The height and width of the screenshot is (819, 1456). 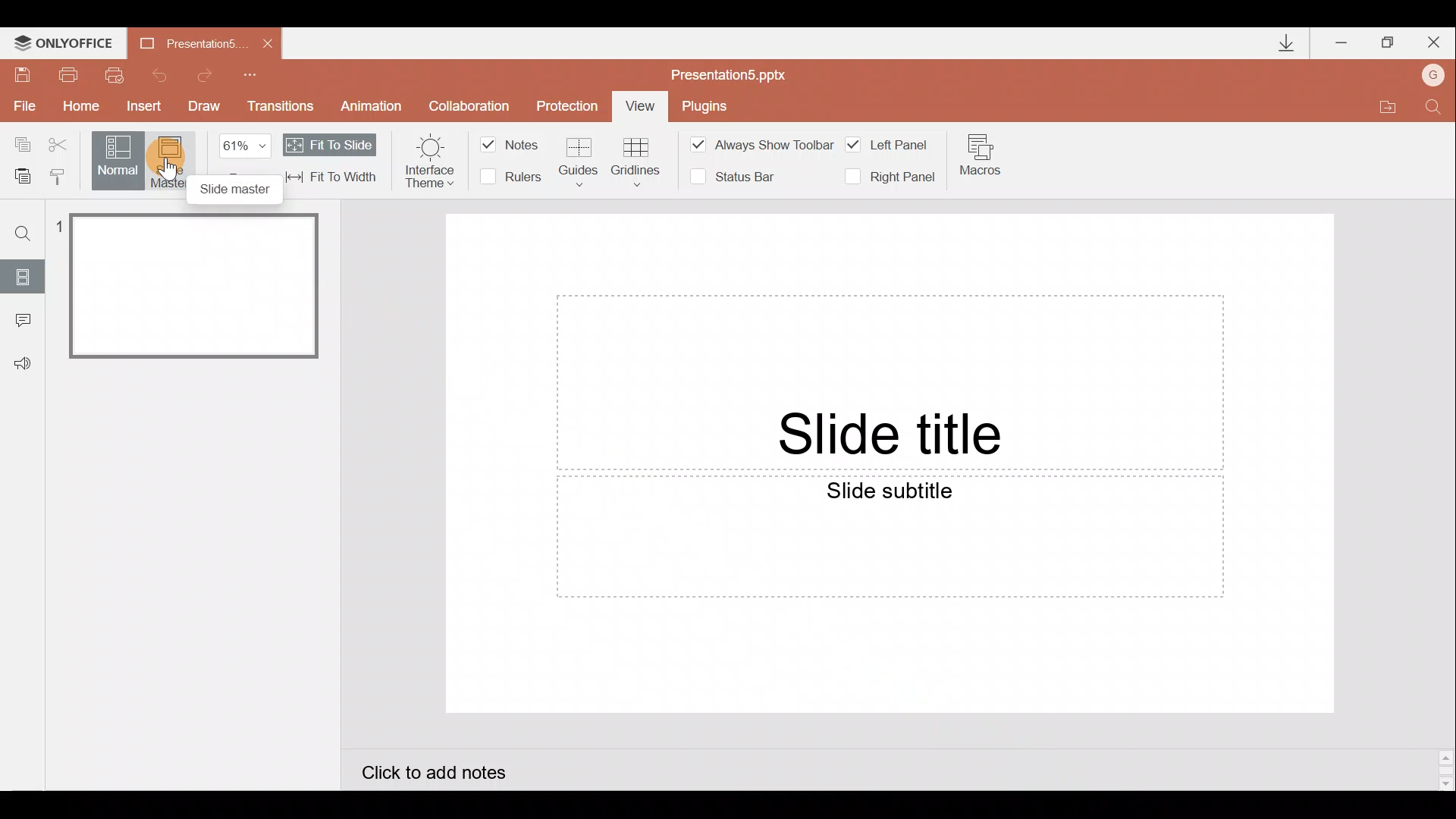 I want to click on ONLYOFFICE, so click(x=63, y=39).